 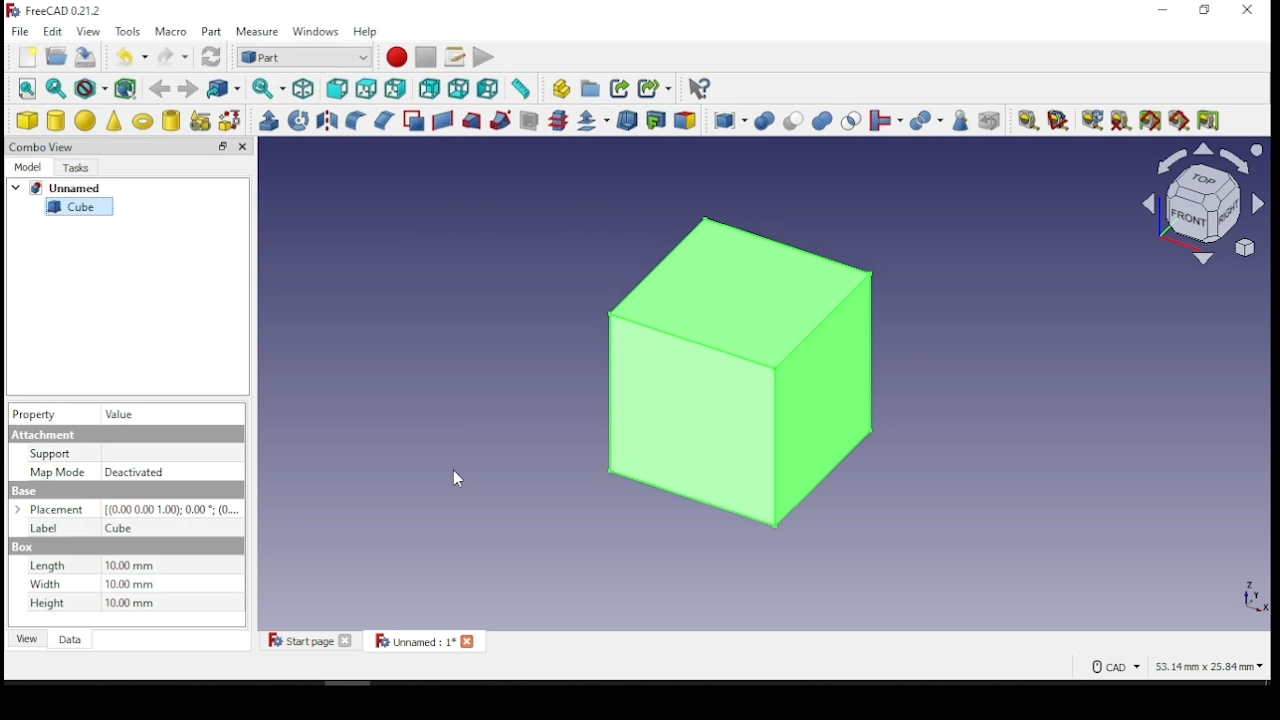 What do you see at coordinates (1205, 11) in the screenshot?
I see `restore` at bounding box center [1205, 11].